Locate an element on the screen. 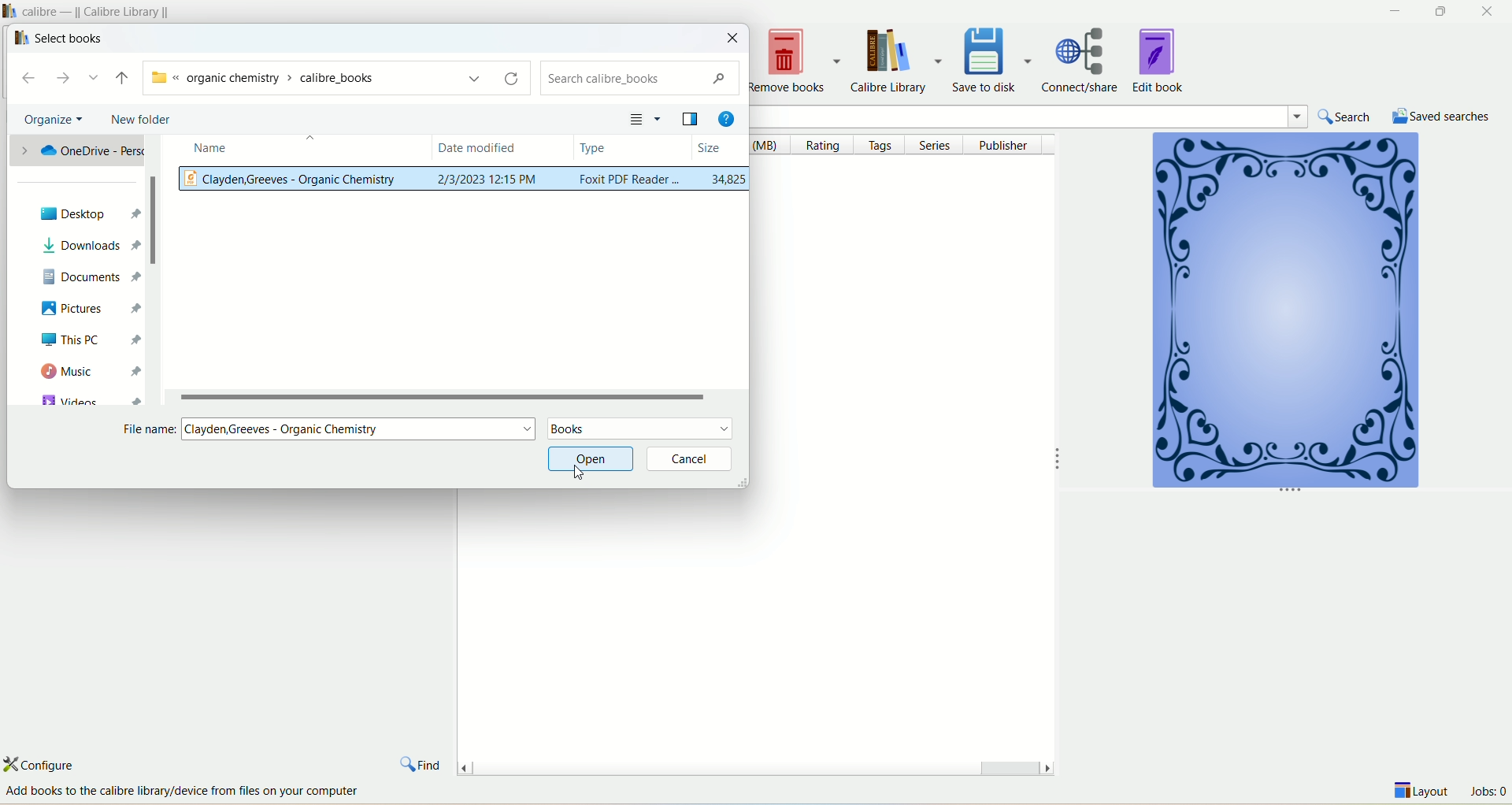 Image resolution: width=1512 pixels, height=805 pixels. series is located at coordinates (939, 144).